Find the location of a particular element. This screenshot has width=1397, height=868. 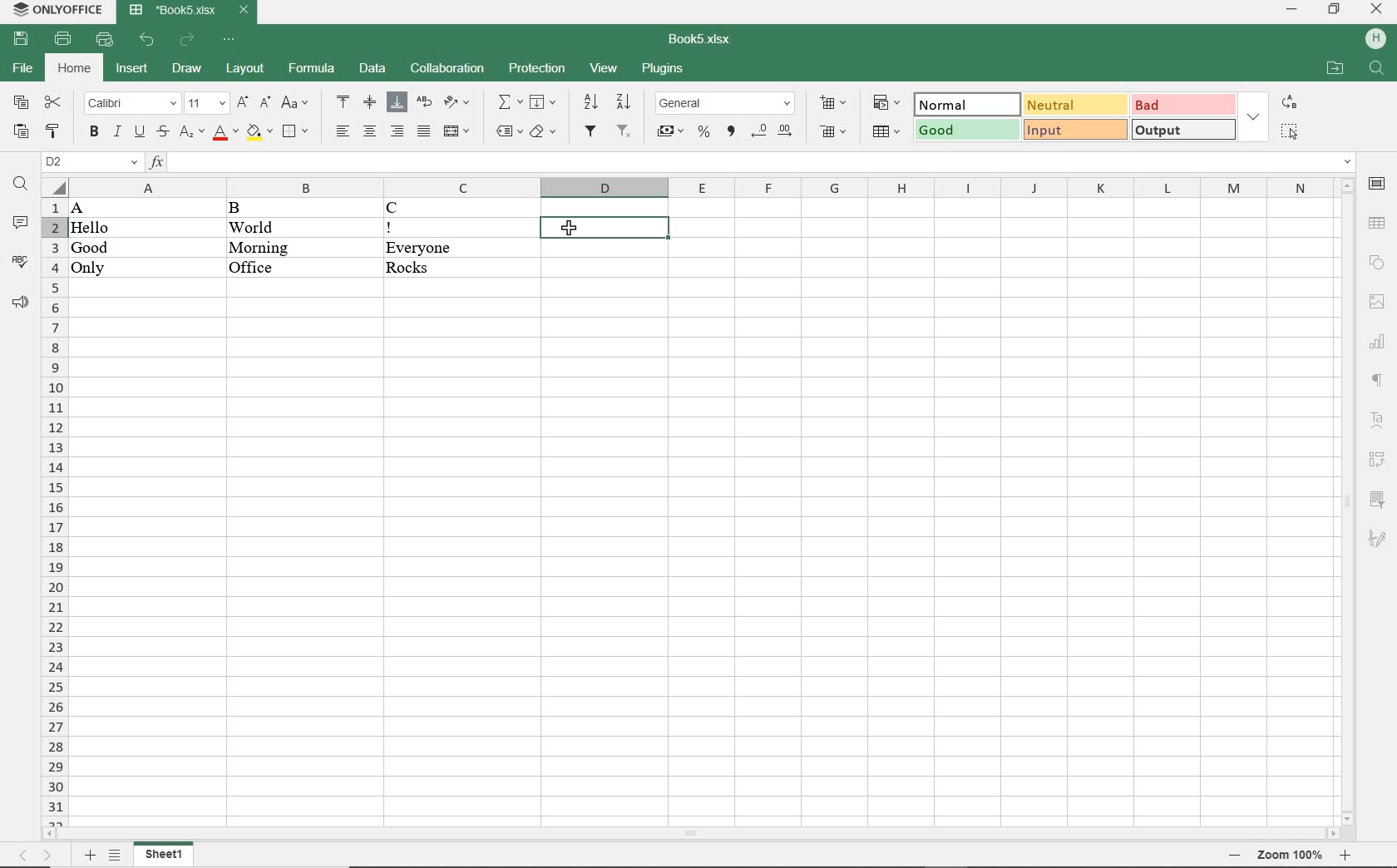

ITALIC is located at coordinates (116, 133).